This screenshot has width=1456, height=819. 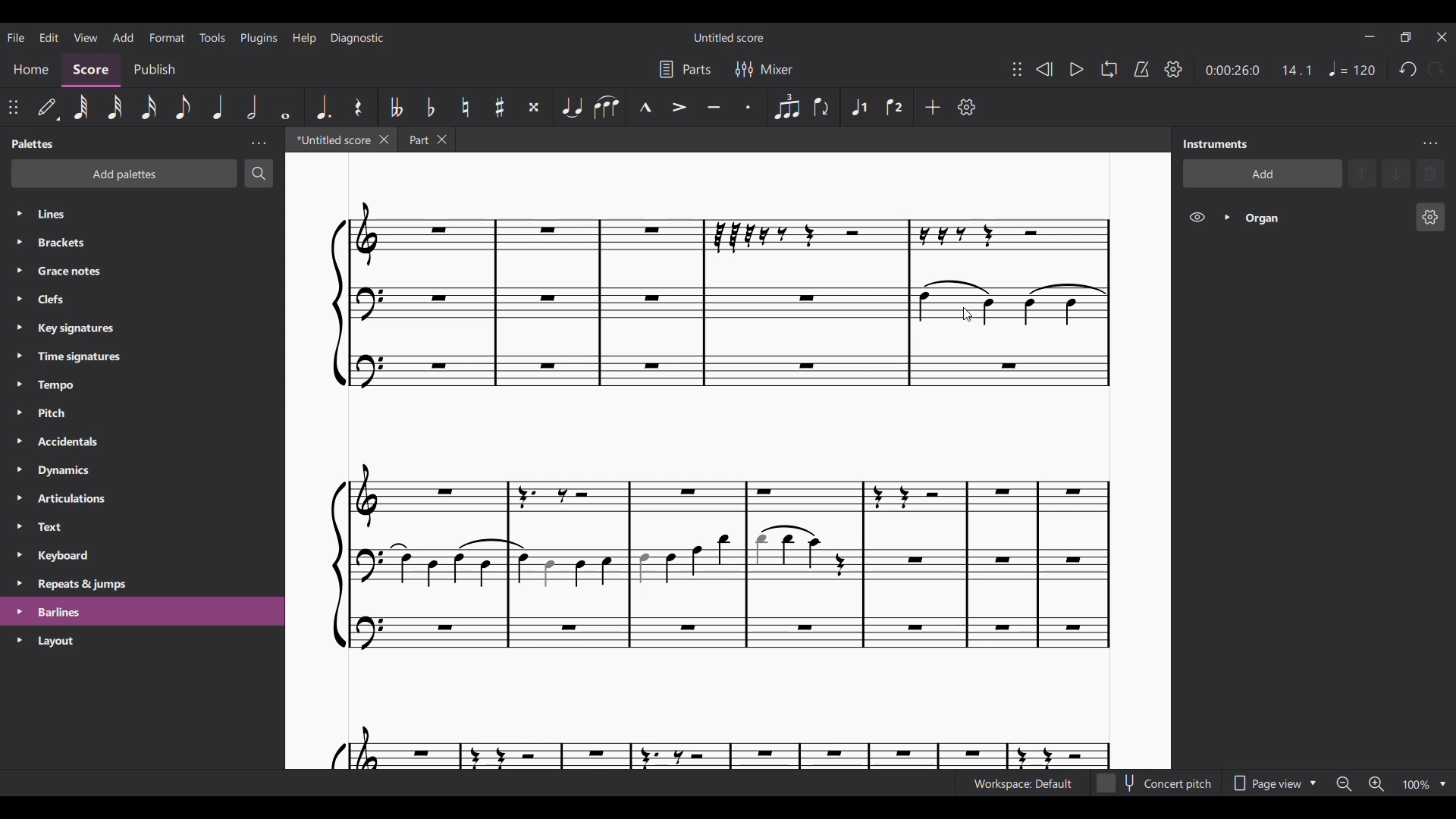 I want to click on Add menu, so click(x=124, y=36).